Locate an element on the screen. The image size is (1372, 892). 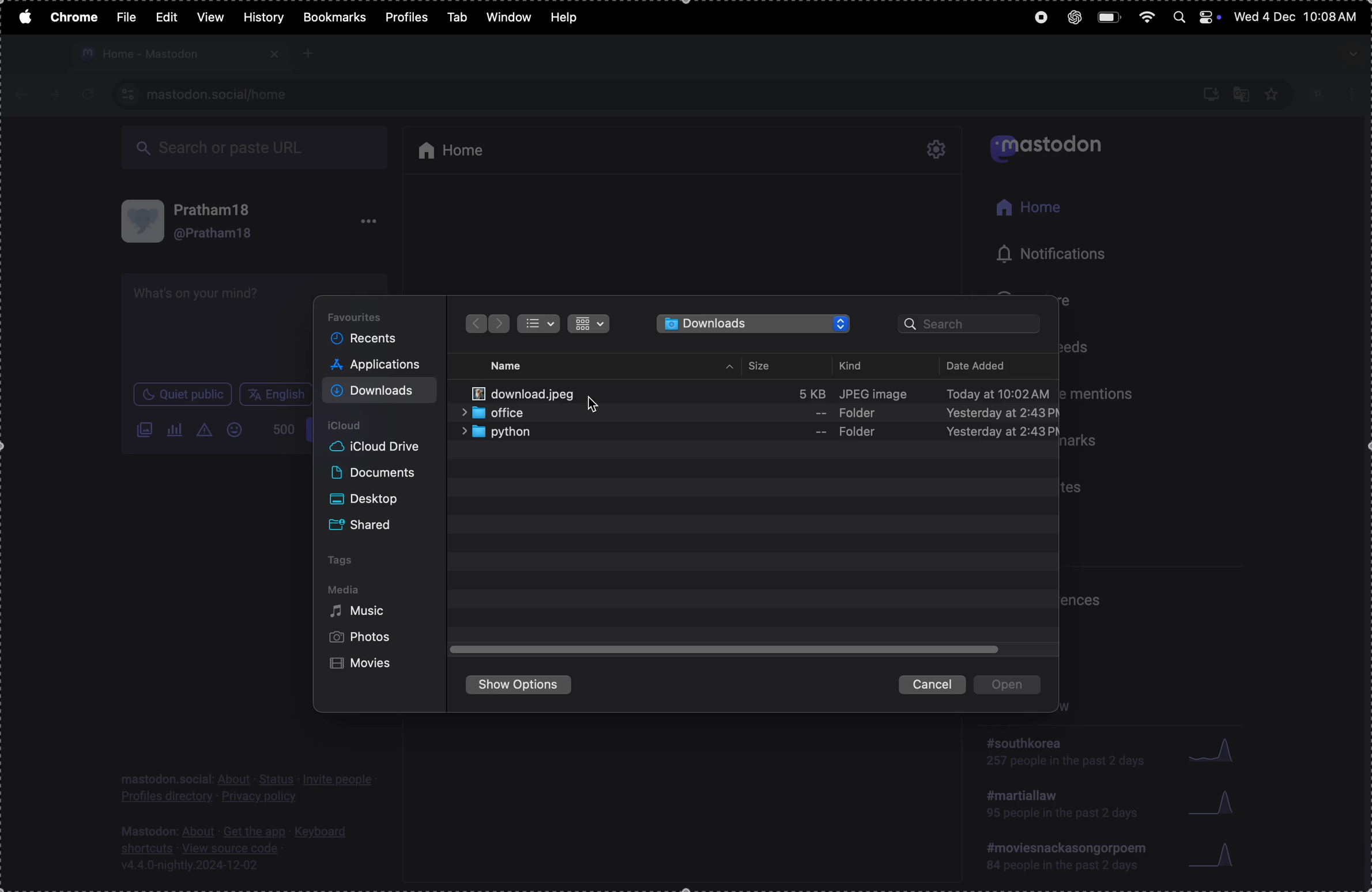
View is located at coordinates (209, 17).